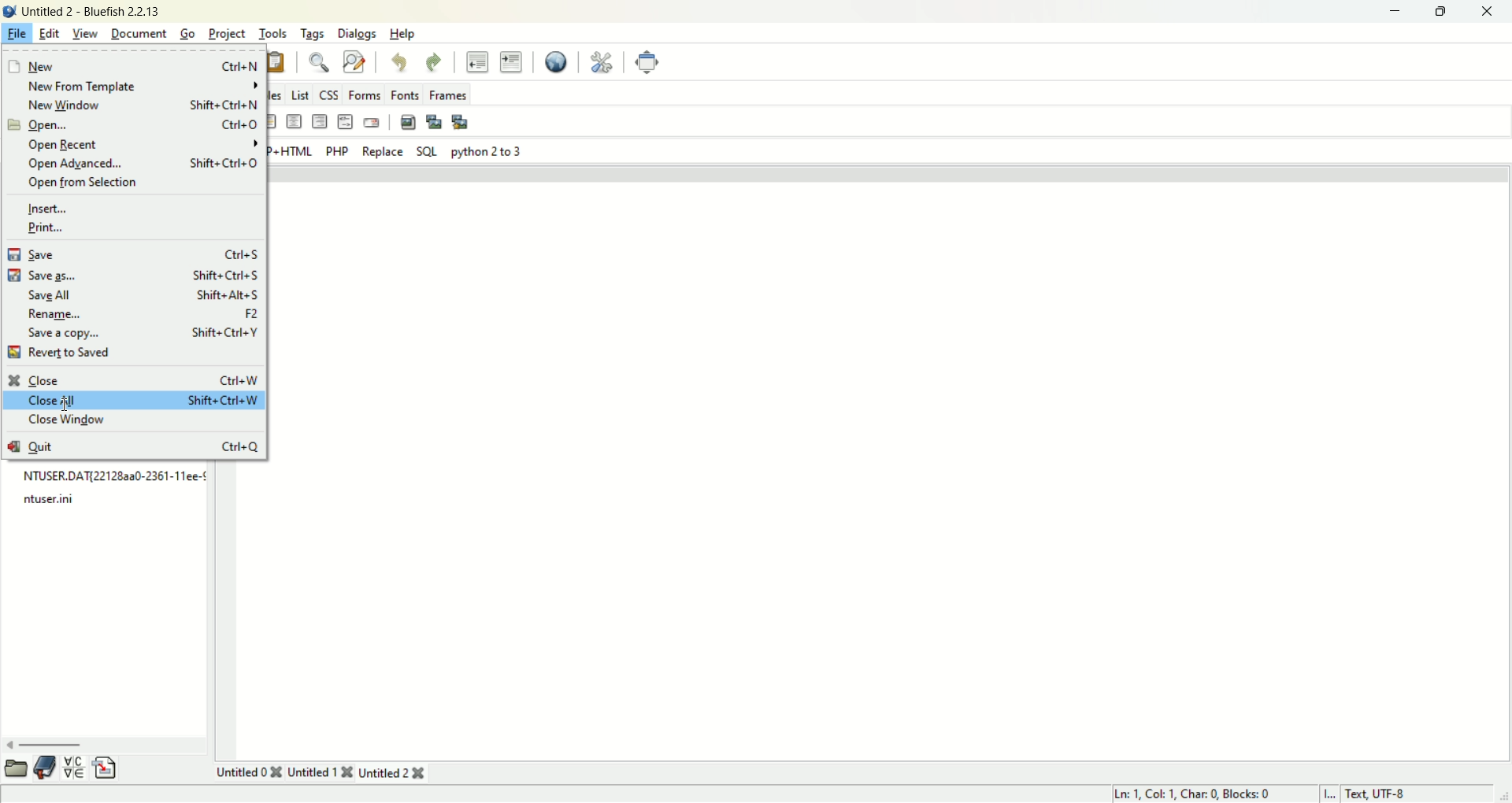 The image size is (1512, 803). What do you see at coordinates (477, 60) in the screenshot?
I see `unindent` at bounding box center [477, 60].